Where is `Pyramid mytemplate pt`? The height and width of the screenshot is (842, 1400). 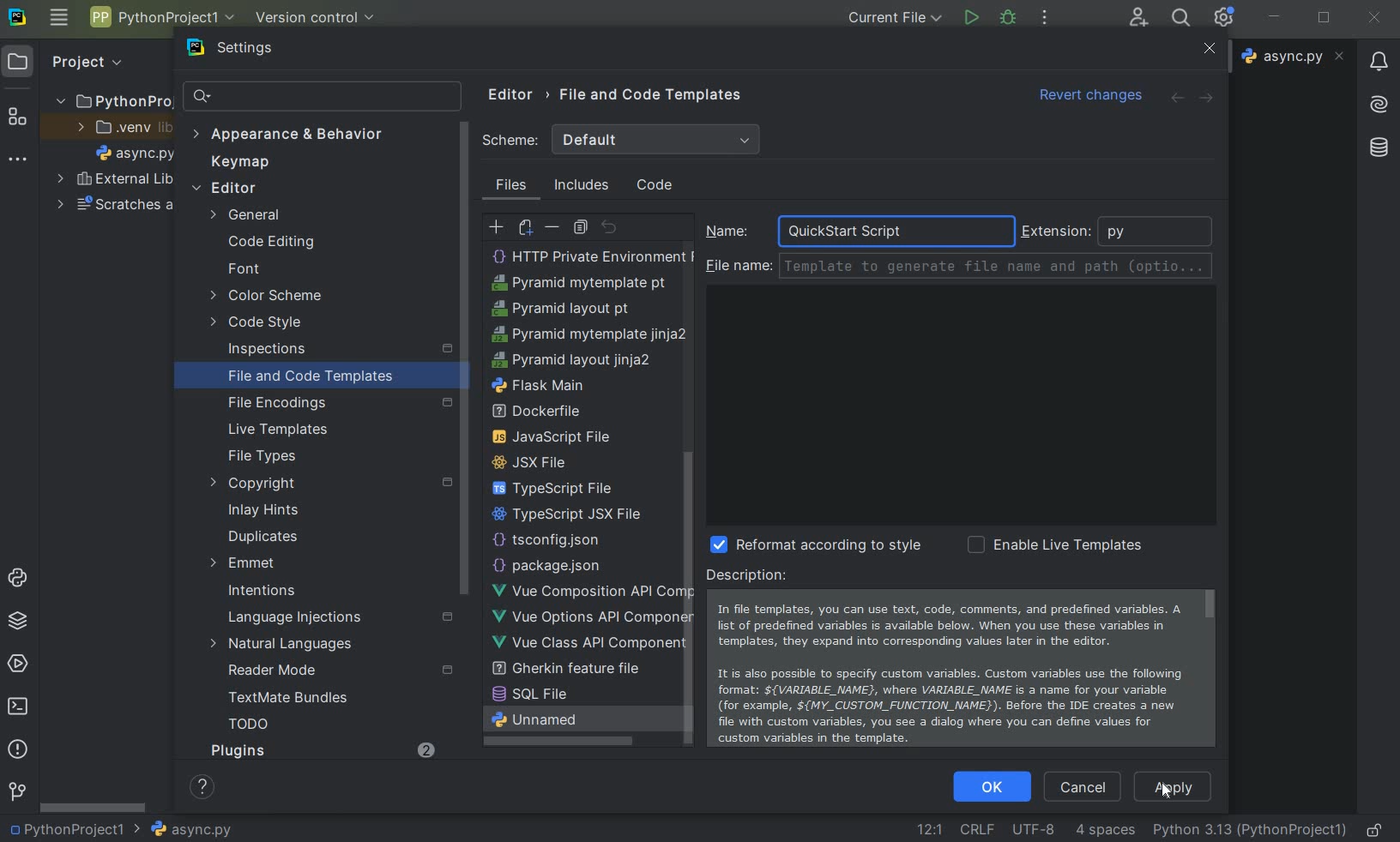
Pyramid mytemplate pt is located at coordinates (582, 642).